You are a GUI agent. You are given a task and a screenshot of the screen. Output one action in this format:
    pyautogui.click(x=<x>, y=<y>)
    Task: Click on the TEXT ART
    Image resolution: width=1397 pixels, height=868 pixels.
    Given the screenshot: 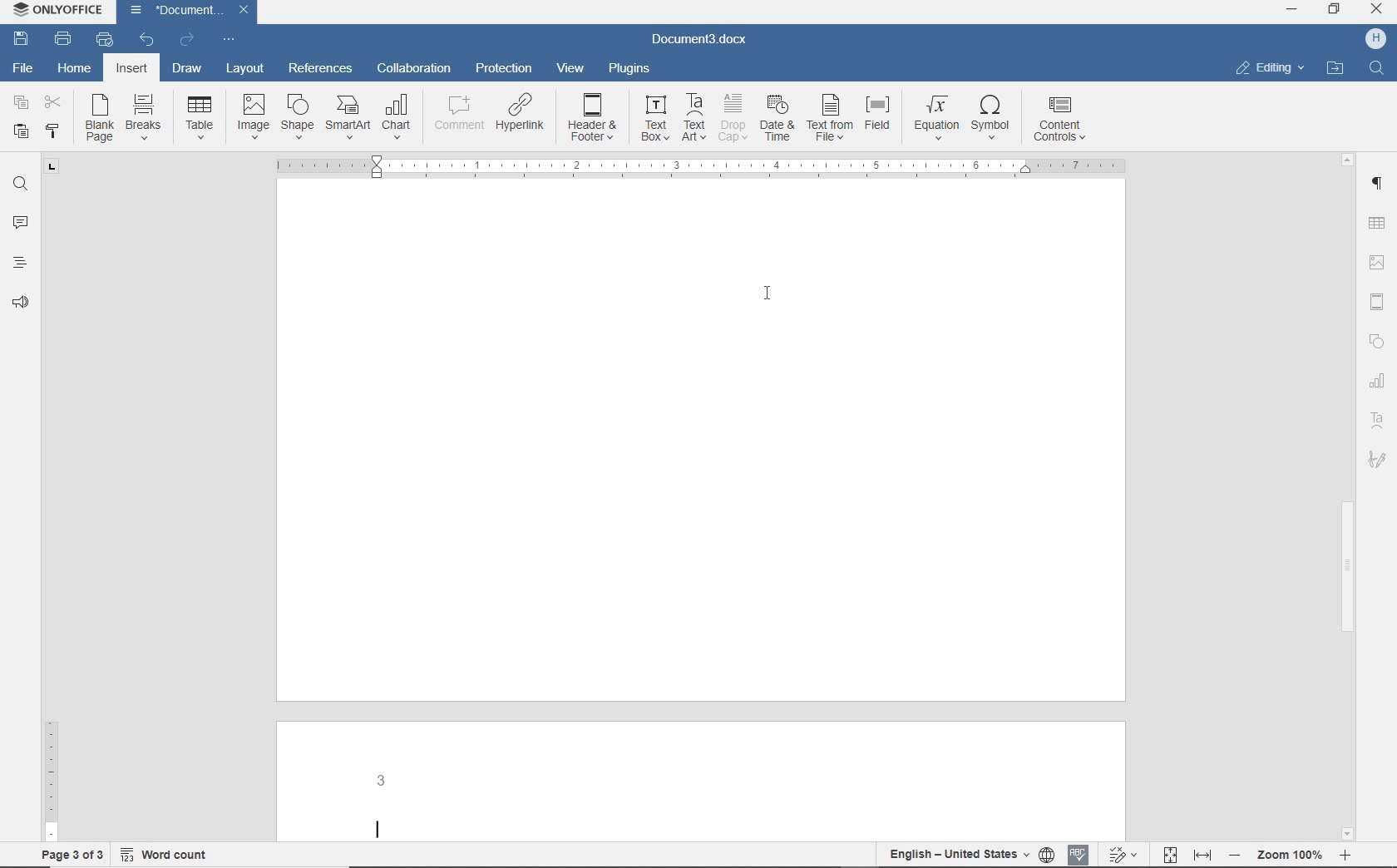 What is the action you would take?
    pyautogui.click(x=695, y=117)
    